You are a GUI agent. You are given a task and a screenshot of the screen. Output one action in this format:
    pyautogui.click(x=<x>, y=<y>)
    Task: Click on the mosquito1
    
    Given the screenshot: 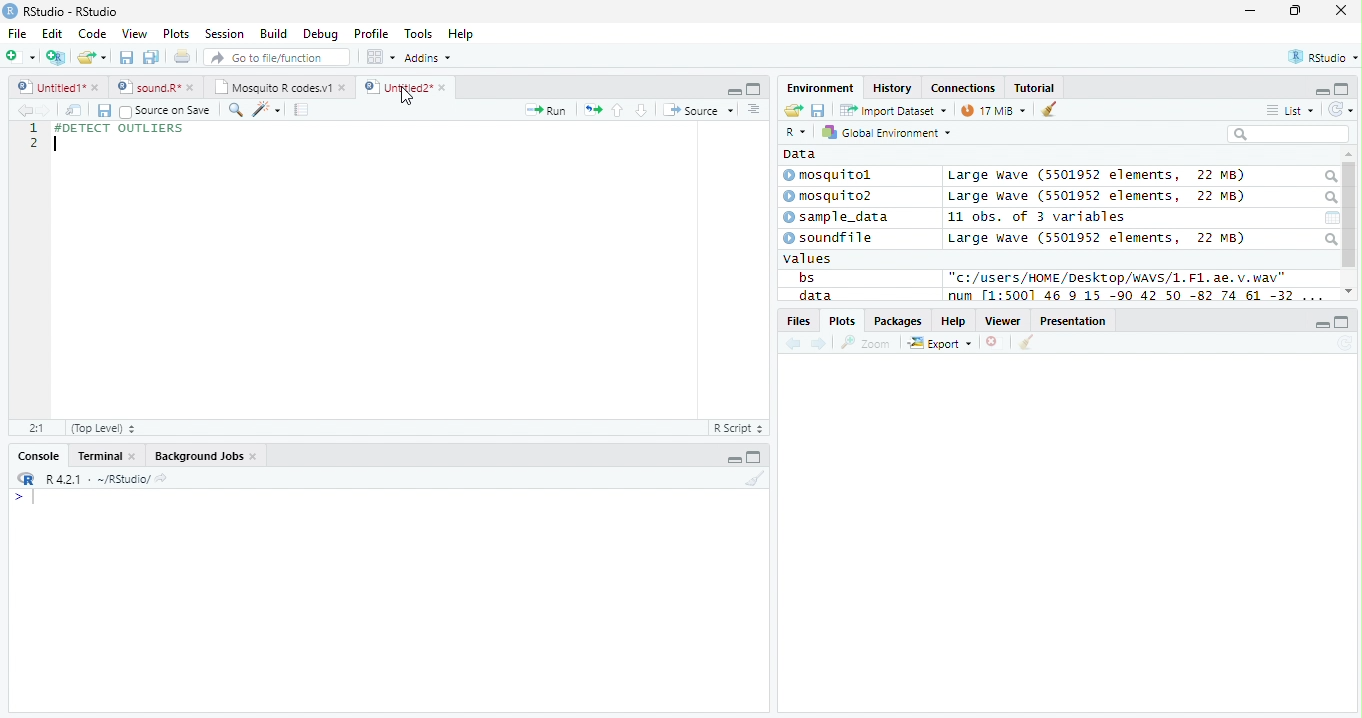 What is the action you would take?
    pyautogui.click(x=831, y=176)
    